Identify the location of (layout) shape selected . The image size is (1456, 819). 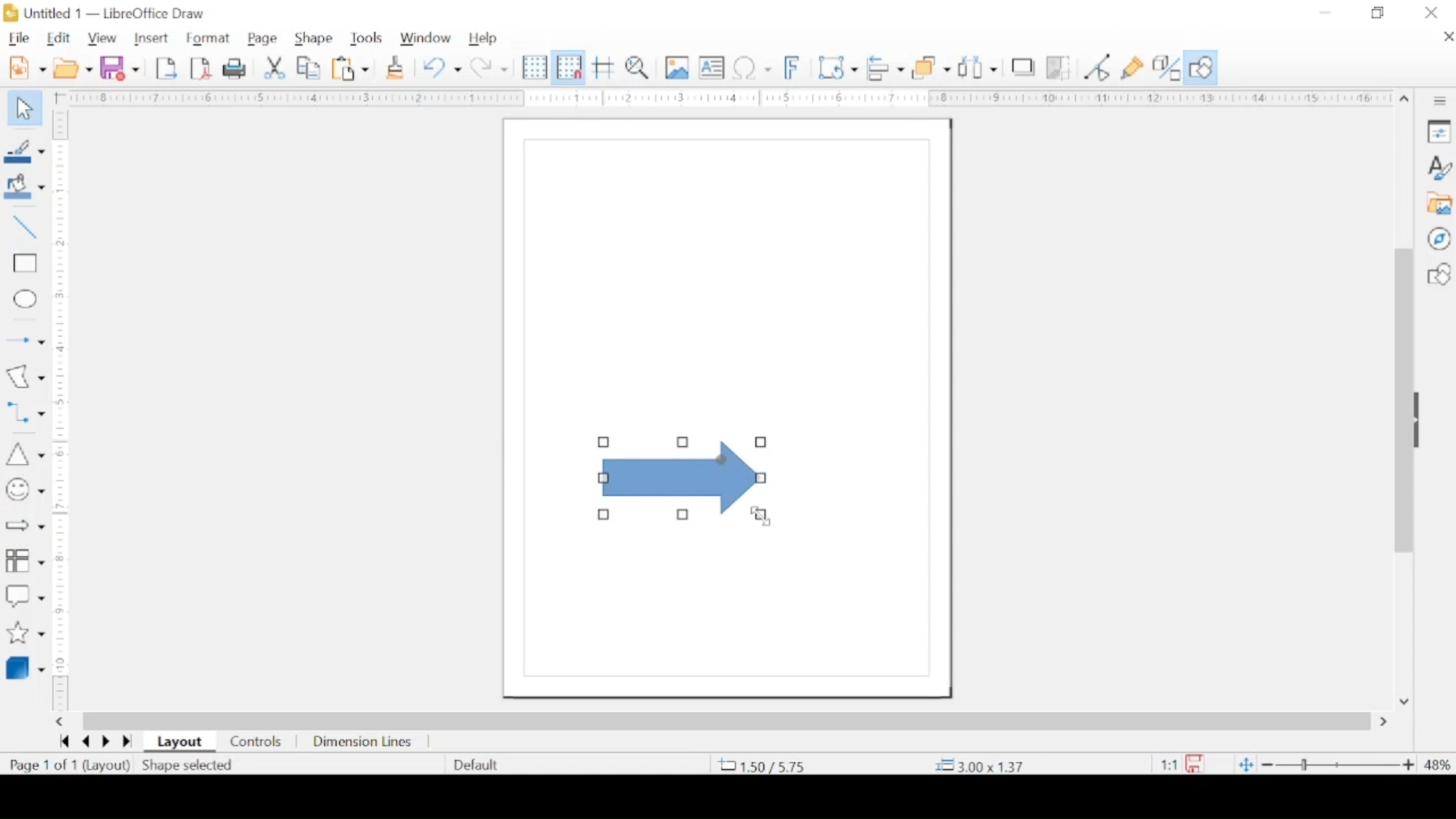
(166, 765).